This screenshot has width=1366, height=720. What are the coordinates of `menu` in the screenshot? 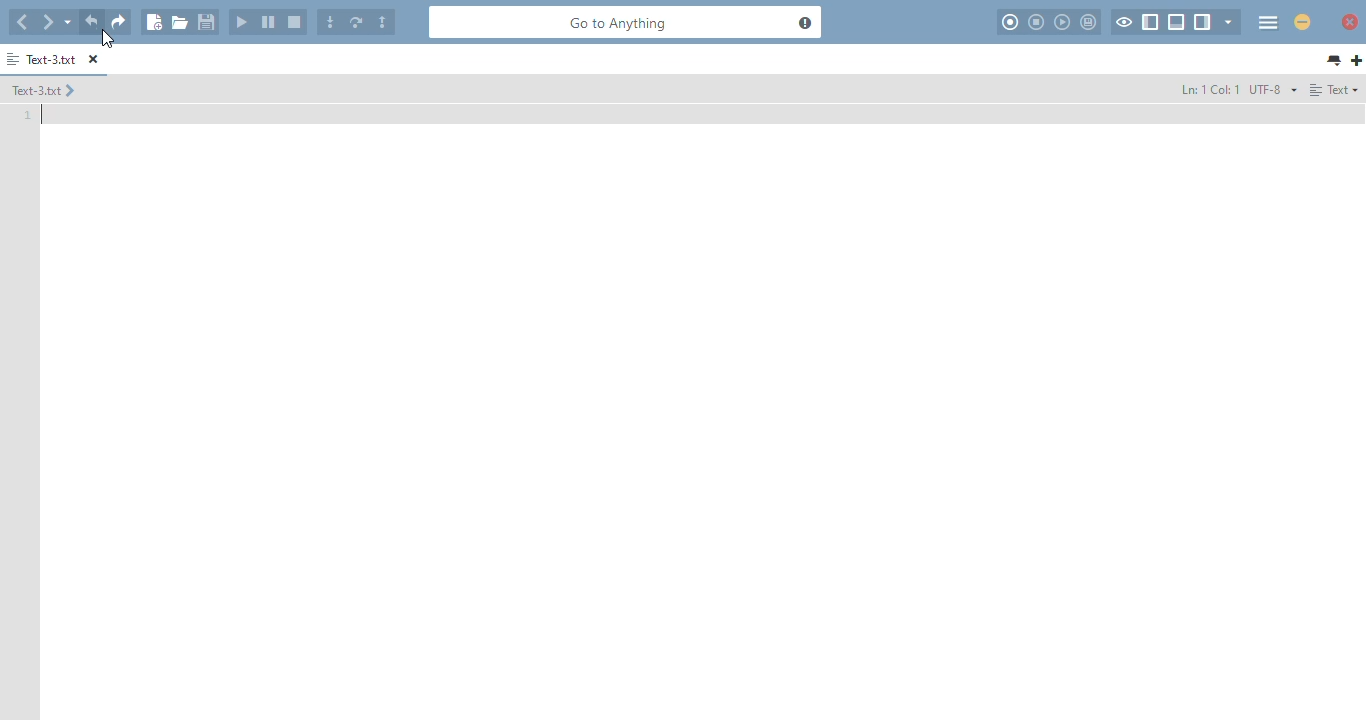 It's located at (1268, 23).